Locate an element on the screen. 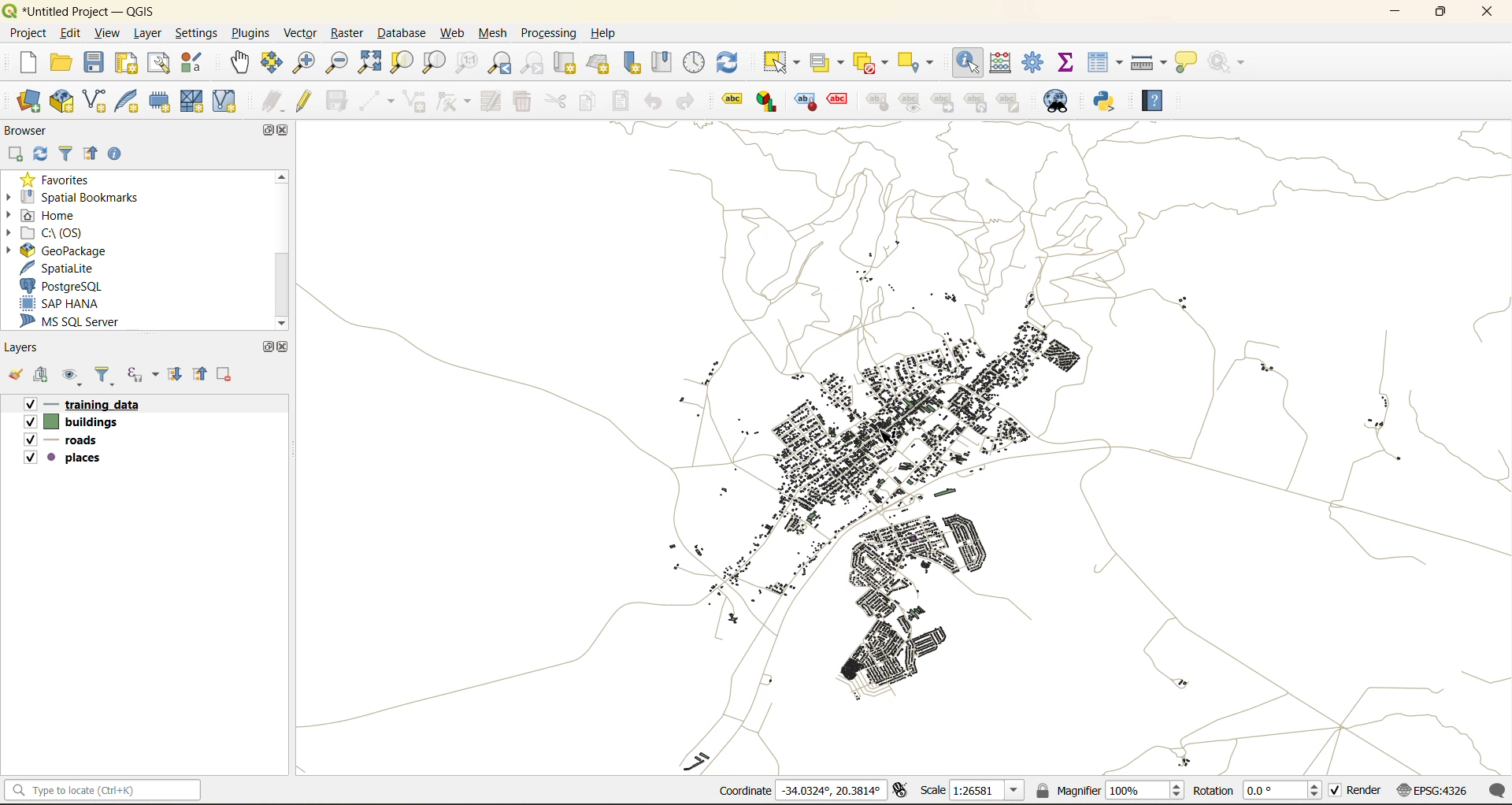  close is located at coordinates (283, 347).